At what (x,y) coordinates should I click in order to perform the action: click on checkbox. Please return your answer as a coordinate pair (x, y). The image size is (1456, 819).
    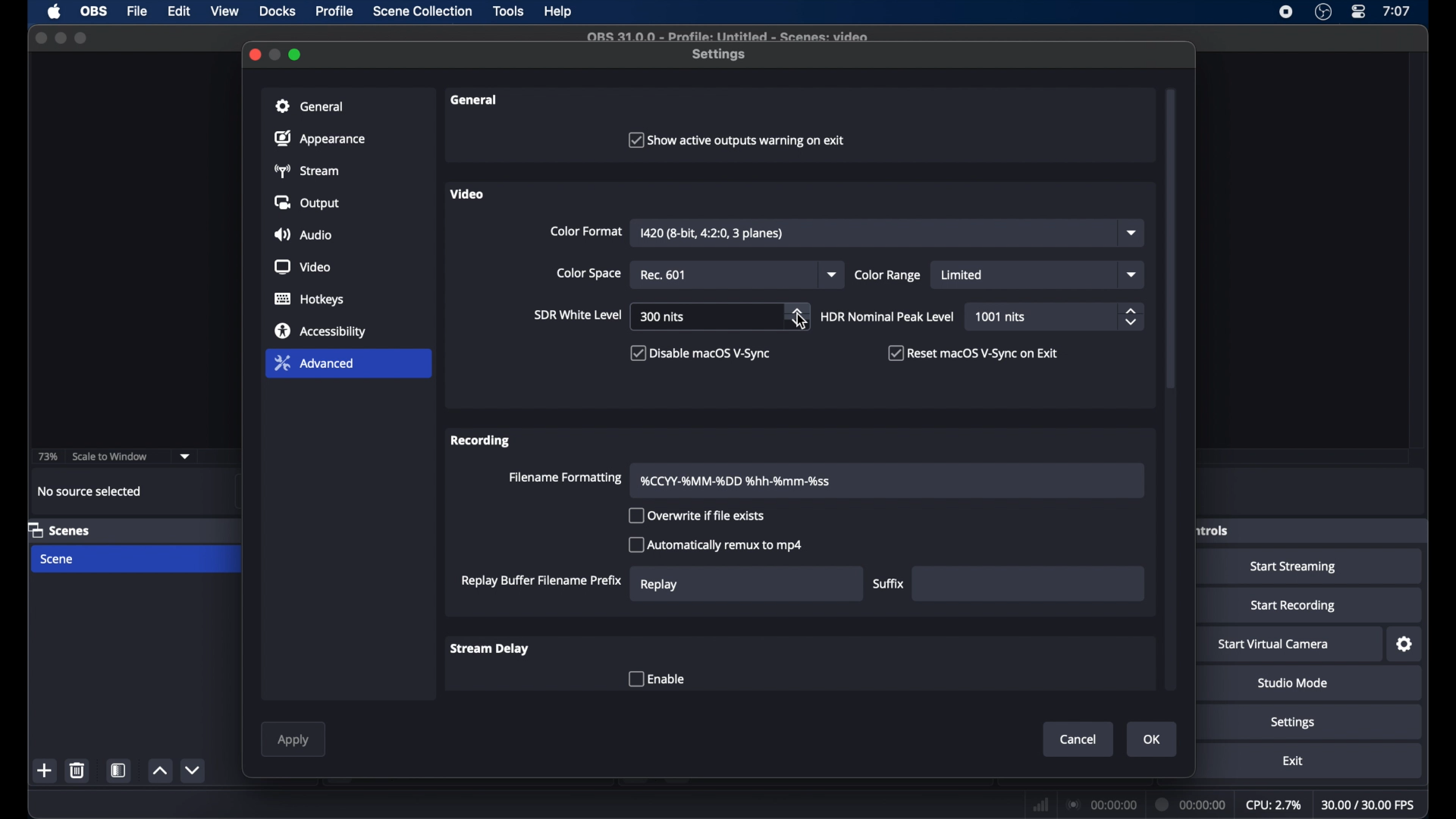
    Looking at the image, I should click on (717, 544).